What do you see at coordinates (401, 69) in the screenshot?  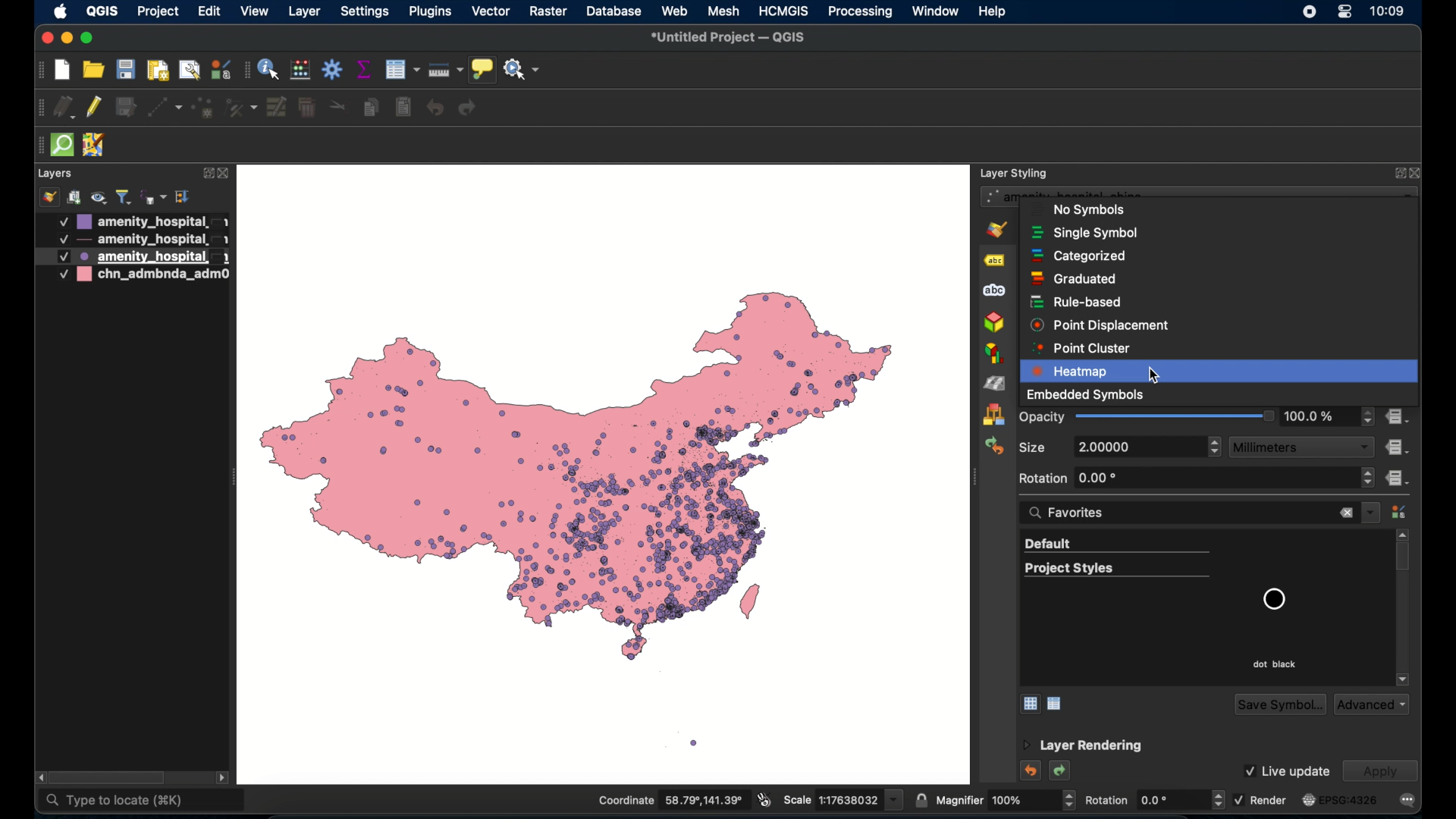 I see `open attribute table` at bounding box center [401, 69].